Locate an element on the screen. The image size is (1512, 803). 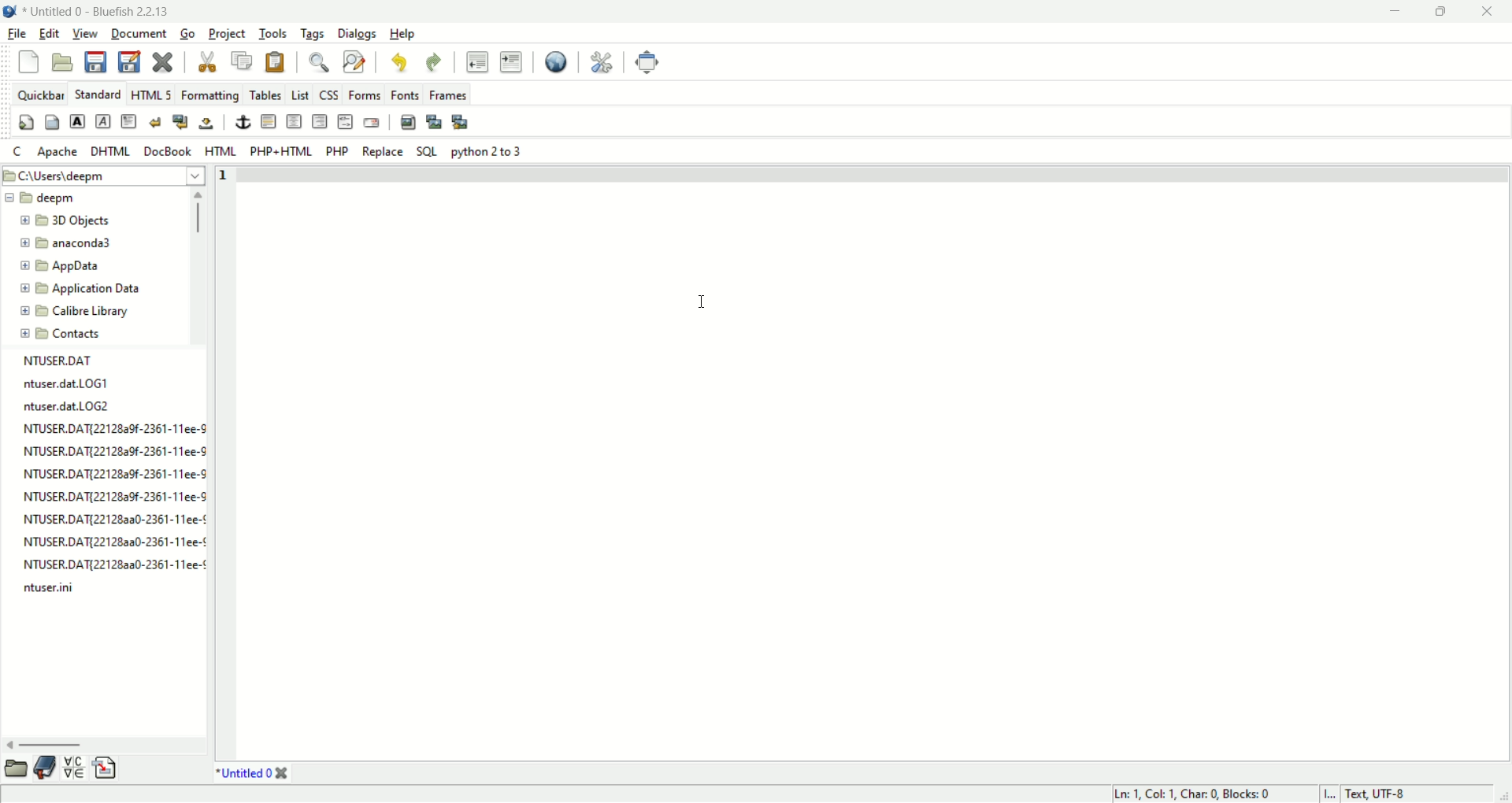
text, UTF-8 is located at coordinates (1378, 794).